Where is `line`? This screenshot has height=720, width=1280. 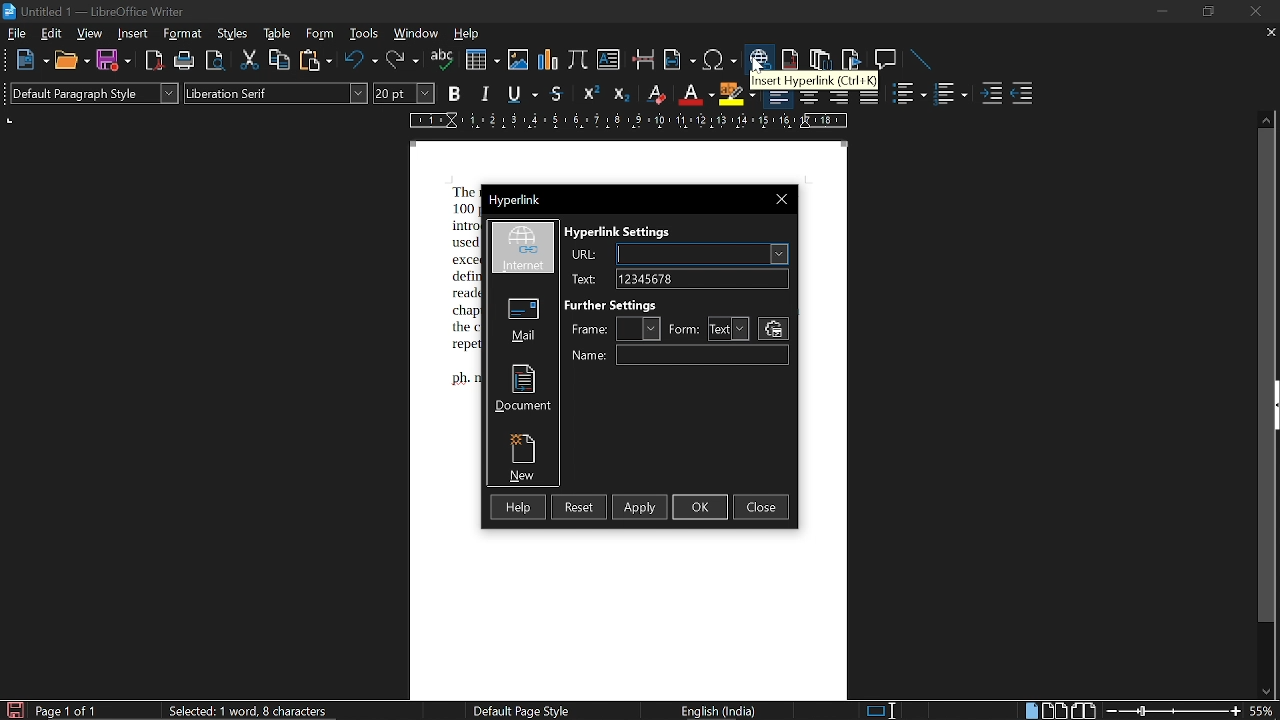 line is located at coordinates (920, 59).